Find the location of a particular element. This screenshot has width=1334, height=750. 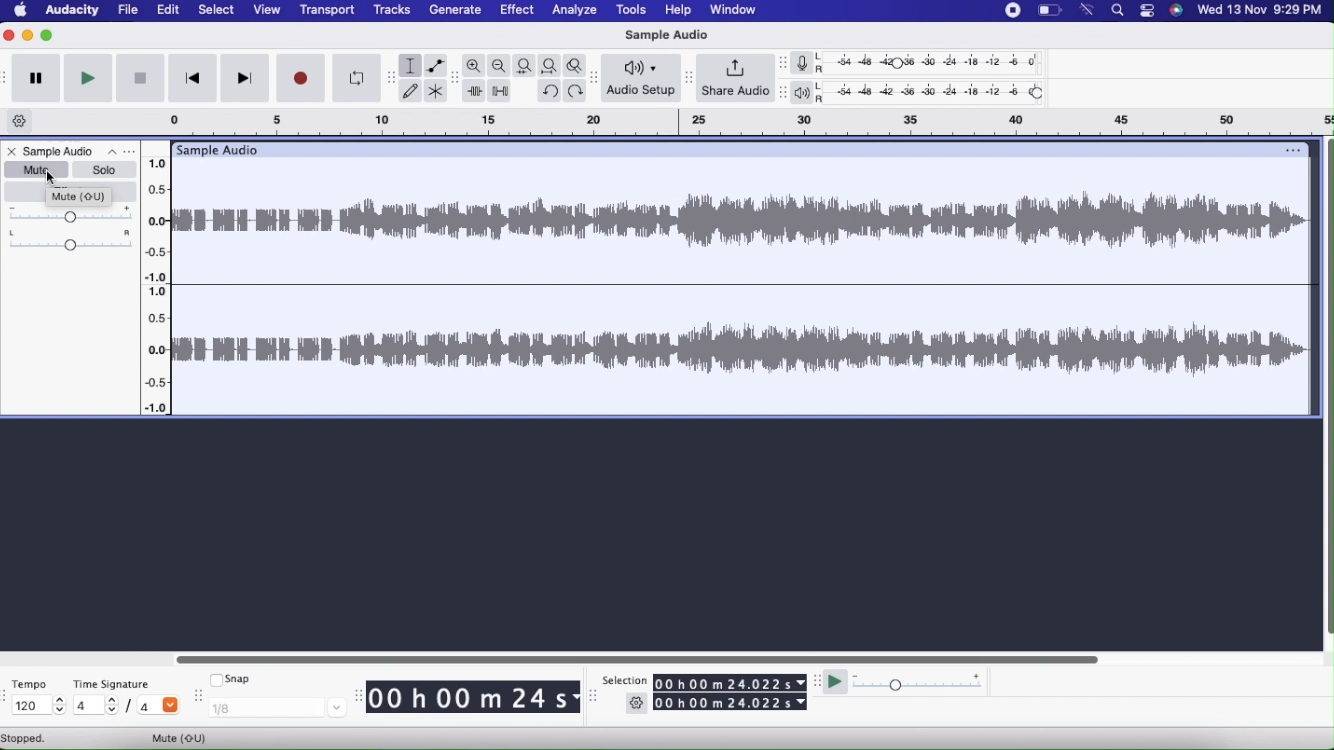

Close is located at coordinates (13, 151).